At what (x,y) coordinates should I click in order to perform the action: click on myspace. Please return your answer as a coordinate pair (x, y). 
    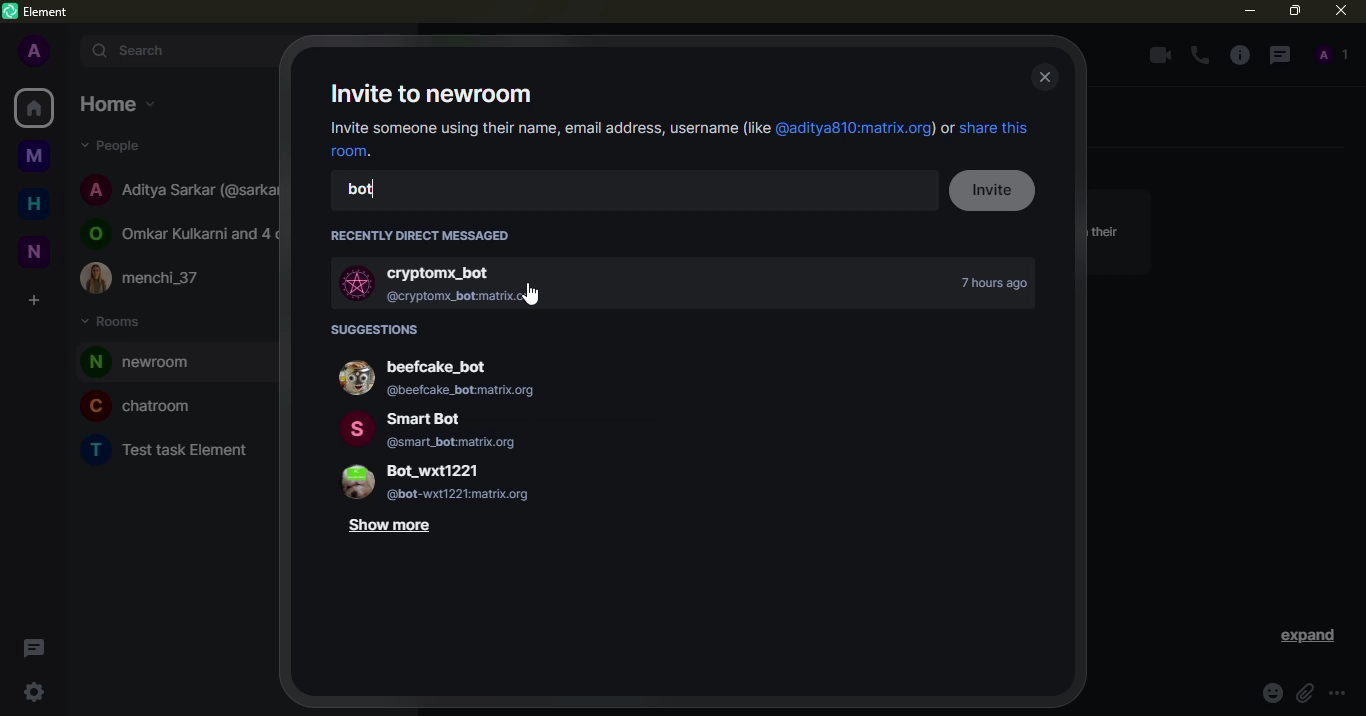
    Looking at the image, I should click on (36, 158).